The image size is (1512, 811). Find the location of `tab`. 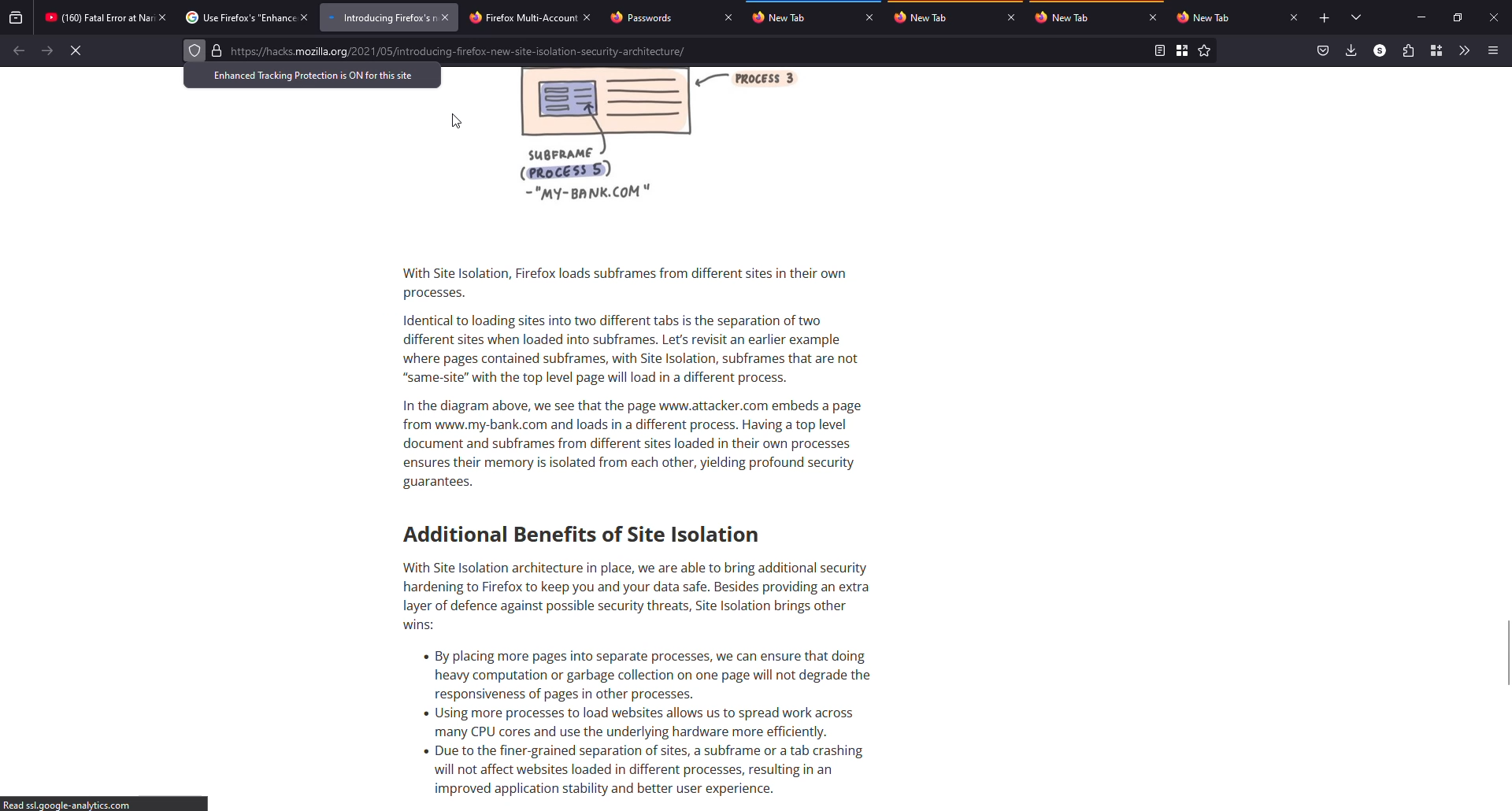

tab is located at coordinates (785, 17).